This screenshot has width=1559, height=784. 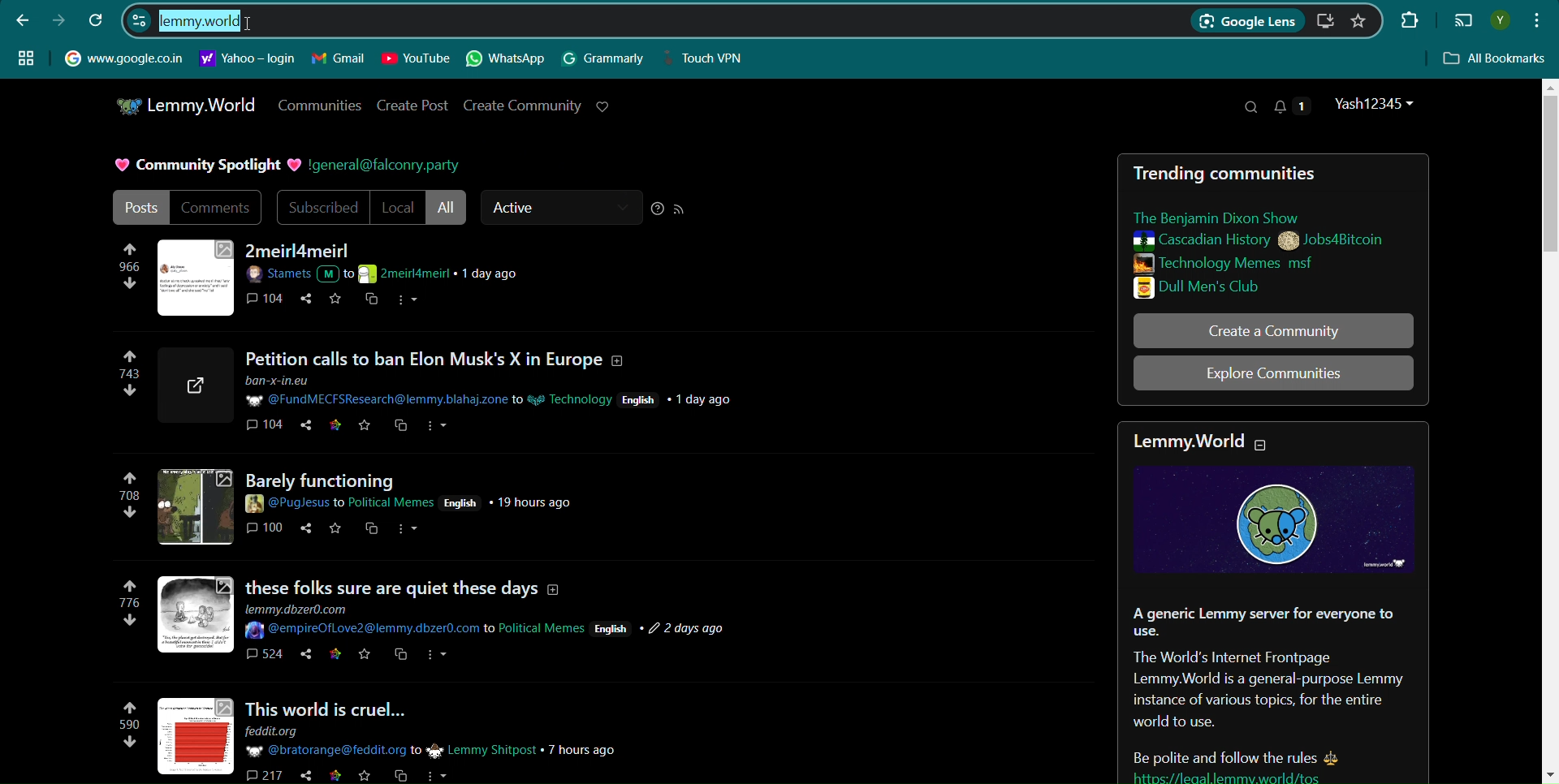 What do you see at coordinates (399, 427) in the screenshot?
I see `copy` at bounding box center [399, 427].